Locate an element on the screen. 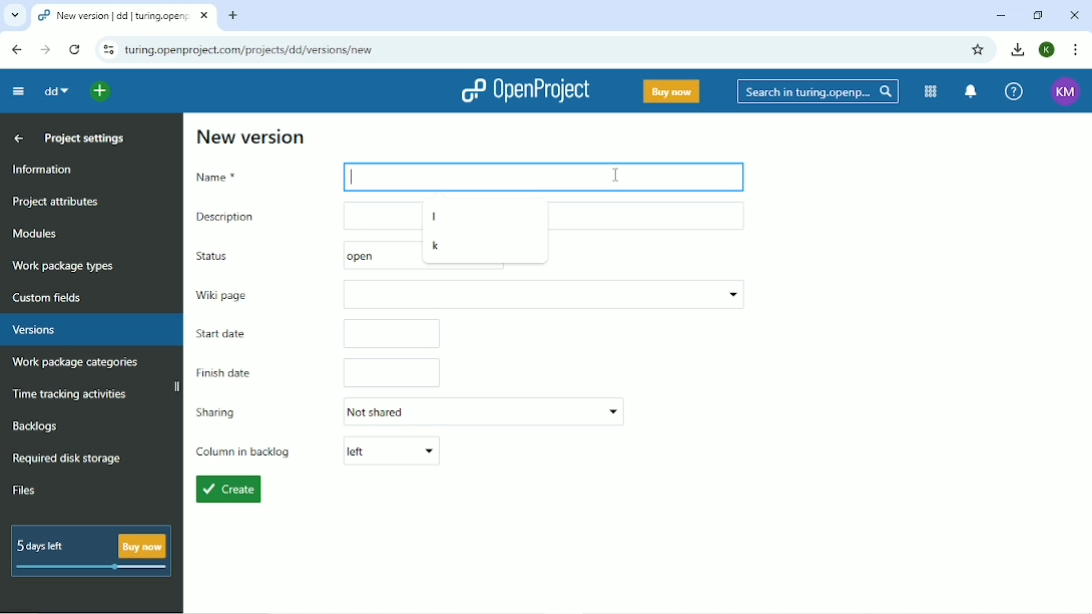 Image resolution: width=1092 pixels, height=614 pixels. Sharing is located at coordinates (407, 411).